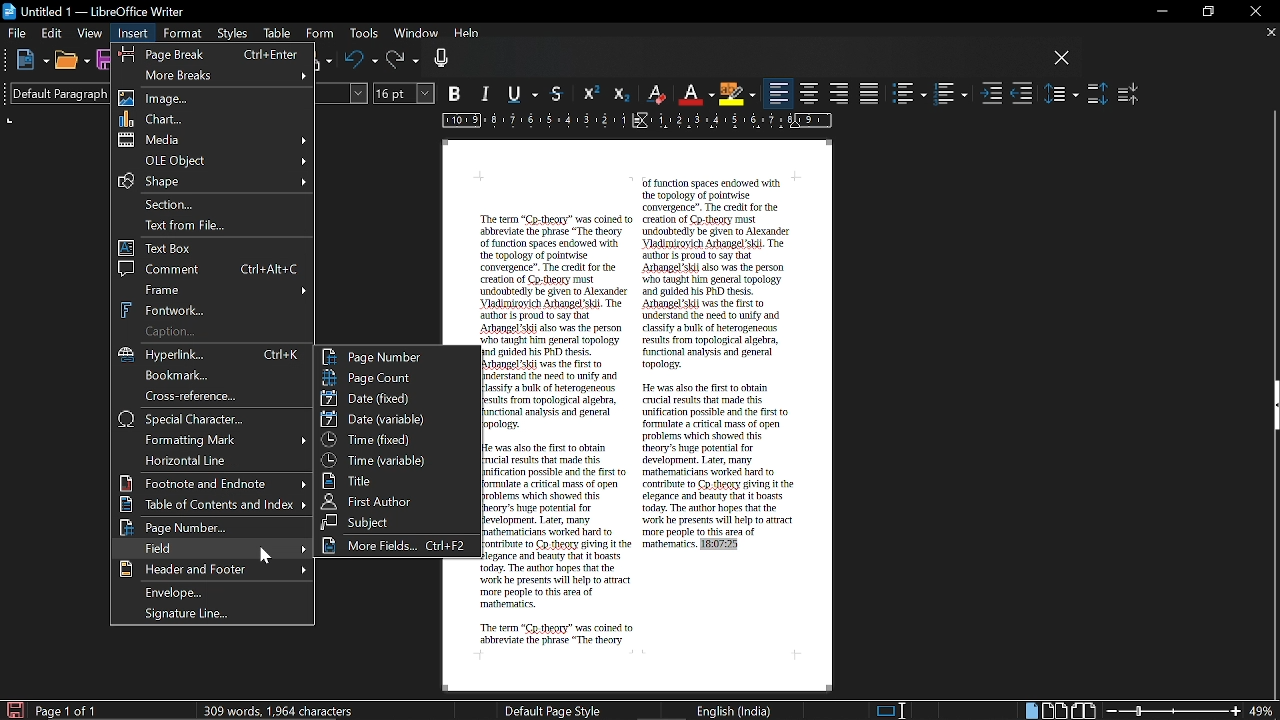 This screenshot has height=720, width=1280. Describe the element at coordinates (282, 710) in the screenshot. I see `306 words, 1956 characters` at that location.